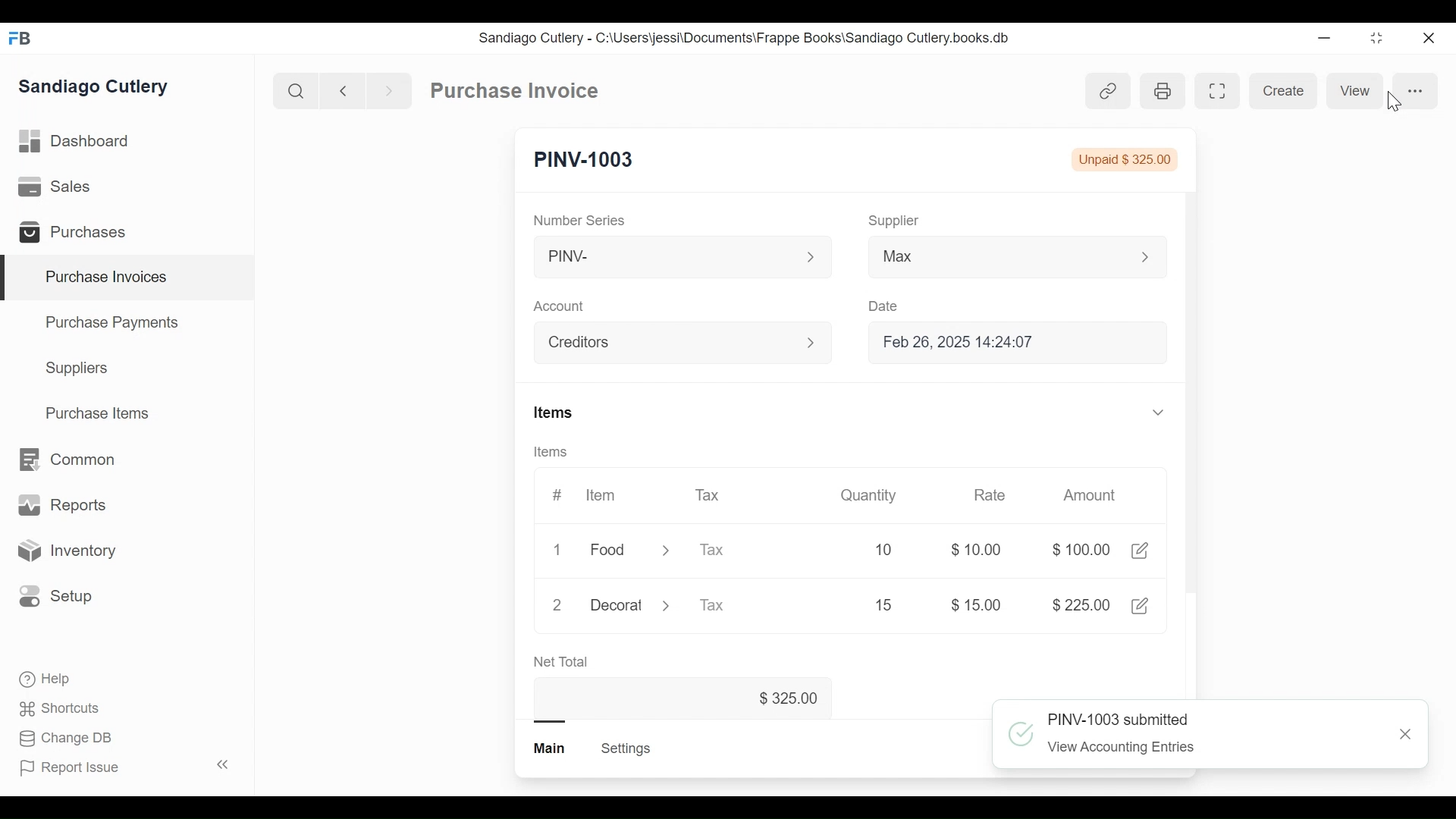 Image resolution: width=1456 pixels, height=819 pixels. I want to click on Naviagate back, so click(344, 89).